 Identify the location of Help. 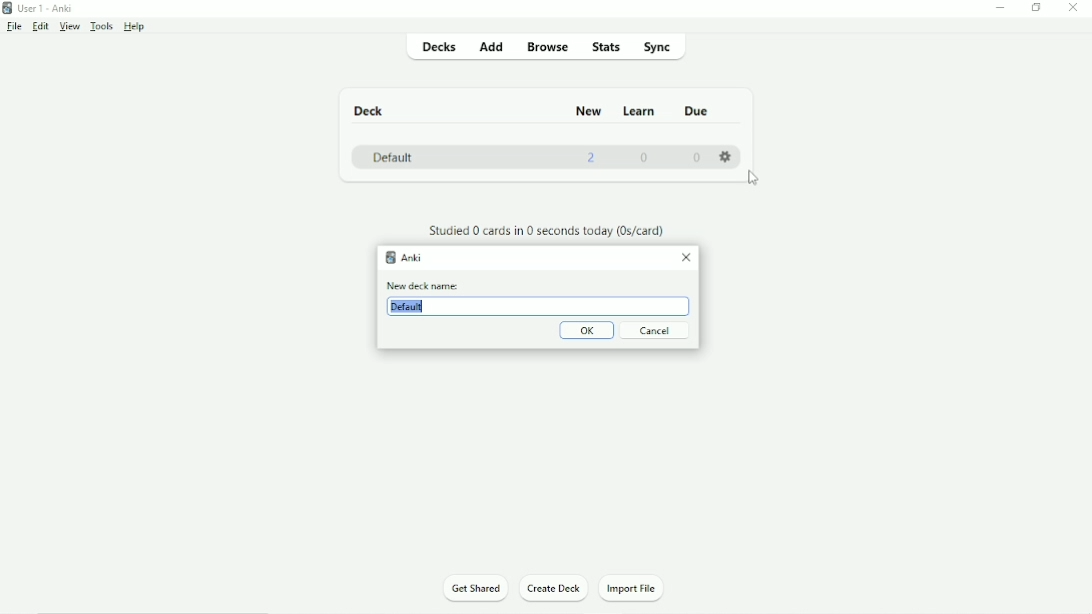
(136, 27).